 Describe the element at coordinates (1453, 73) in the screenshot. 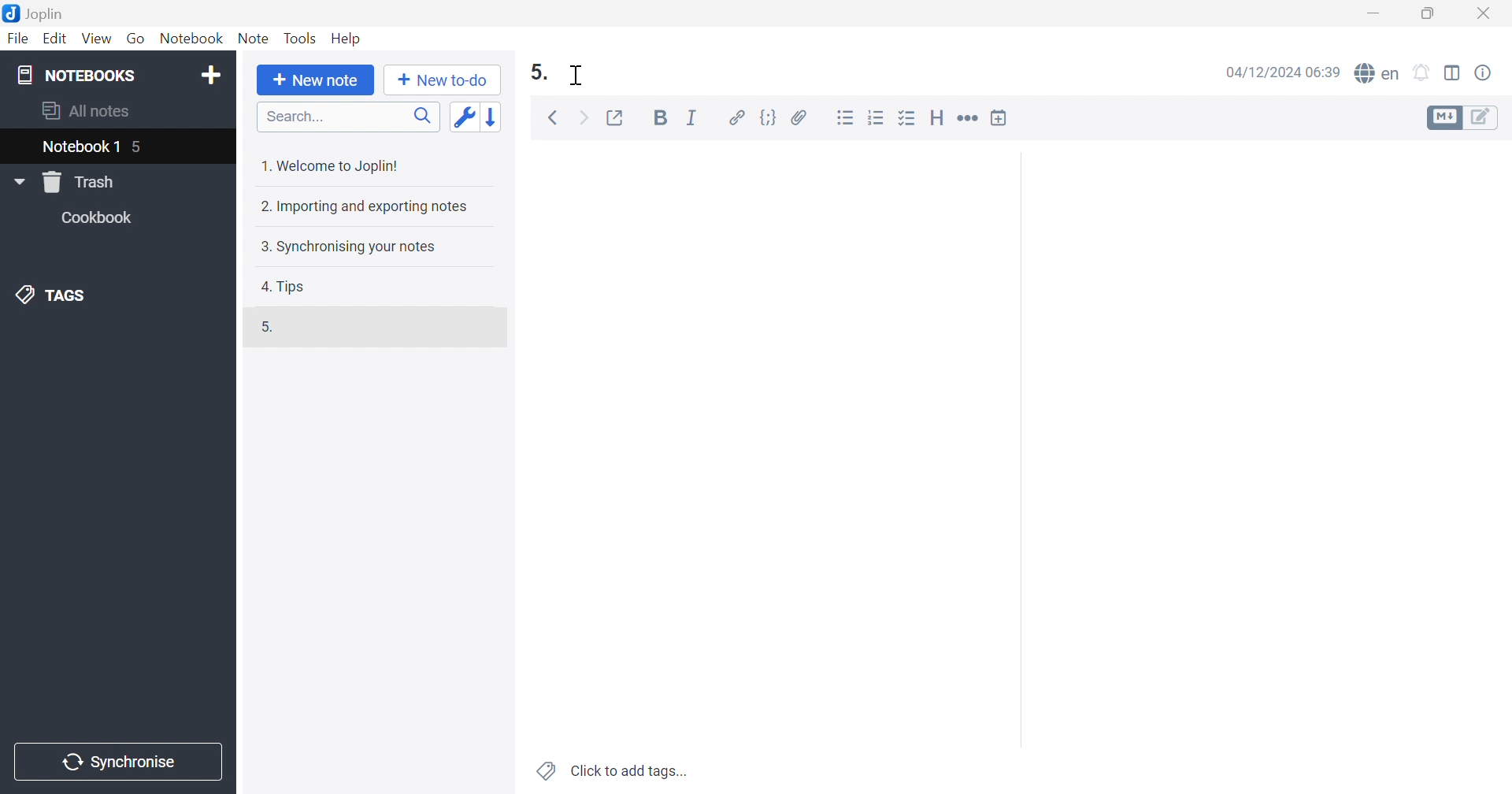

I see `Toggle editor layout` at that location.